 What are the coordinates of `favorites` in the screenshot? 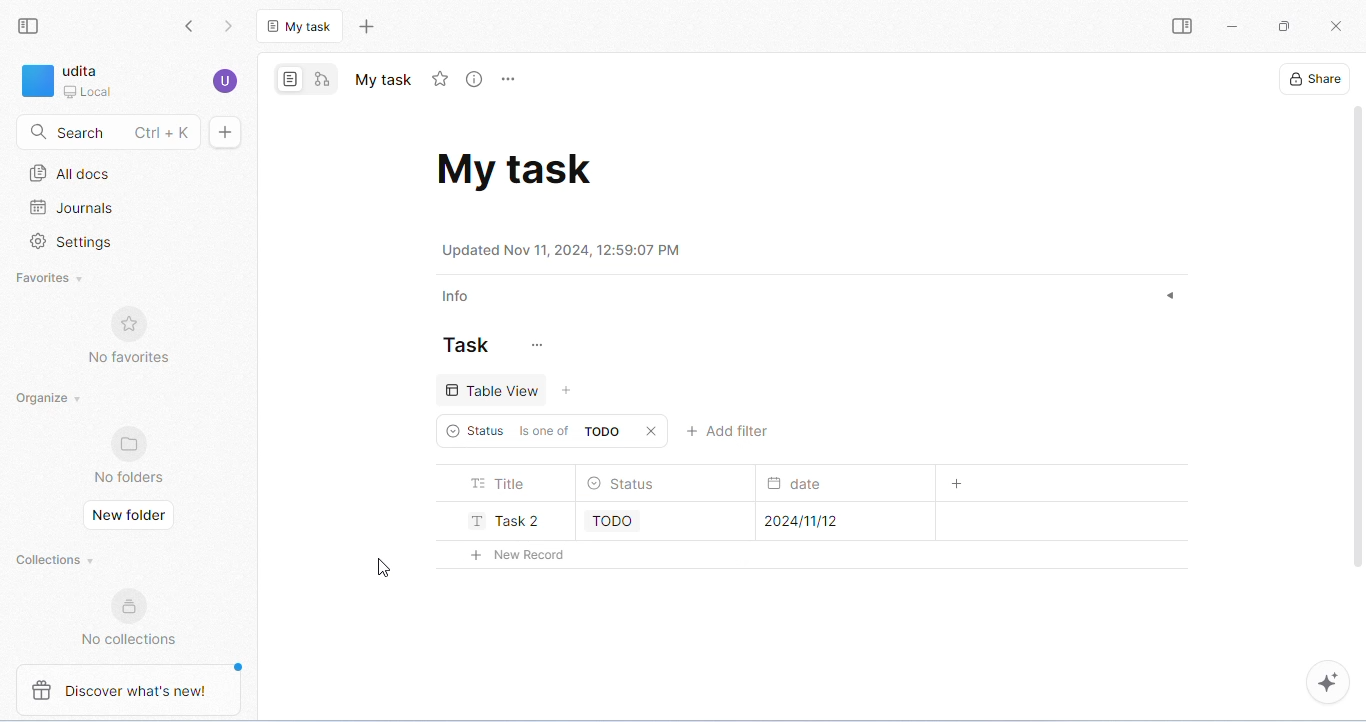 It's located at (52, 280).